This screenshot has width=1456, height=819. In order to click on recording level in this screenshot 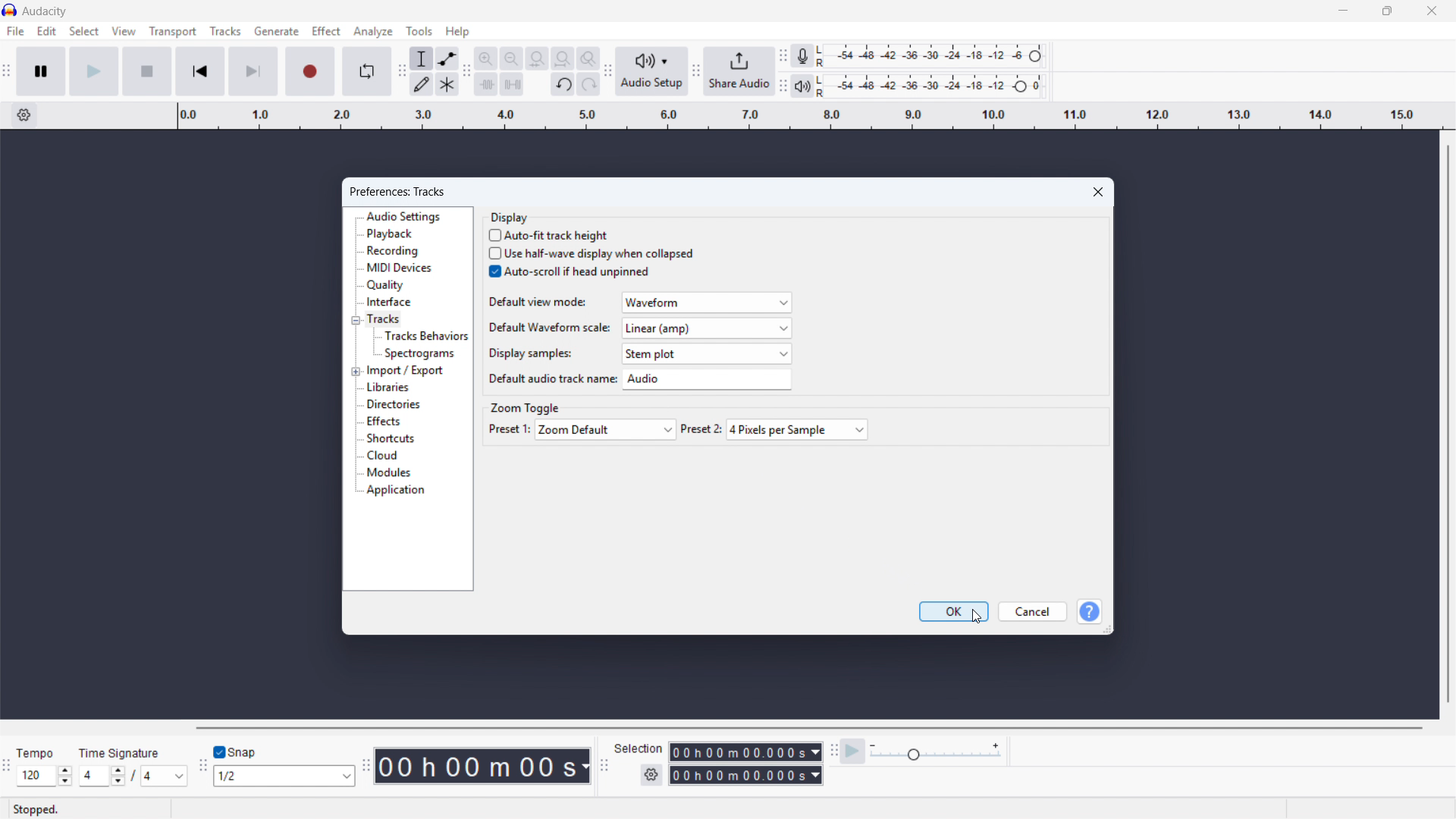, I will do `click(934, 56)`.